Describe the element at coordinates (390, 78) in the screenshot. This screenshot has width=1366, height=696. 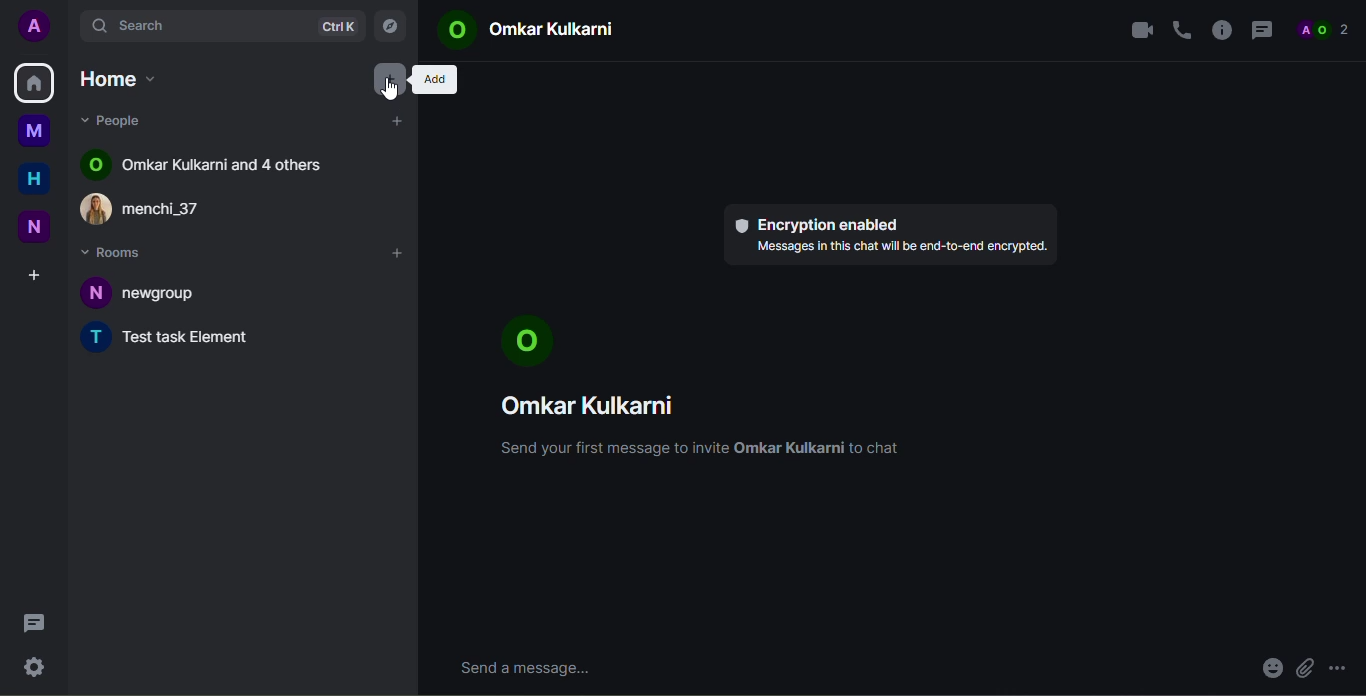
I see `add` at that location.